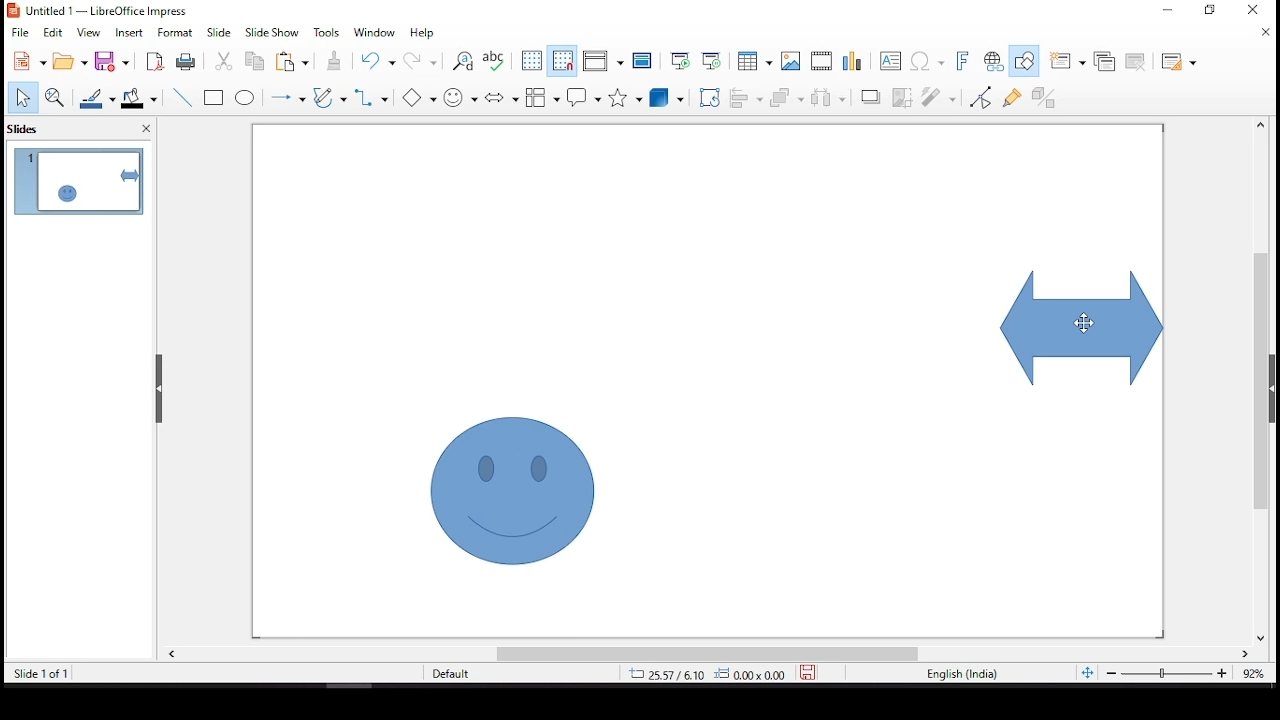  Describe the element at coordinates (784, 96) in the screenshot. I see `arrange` at that location.